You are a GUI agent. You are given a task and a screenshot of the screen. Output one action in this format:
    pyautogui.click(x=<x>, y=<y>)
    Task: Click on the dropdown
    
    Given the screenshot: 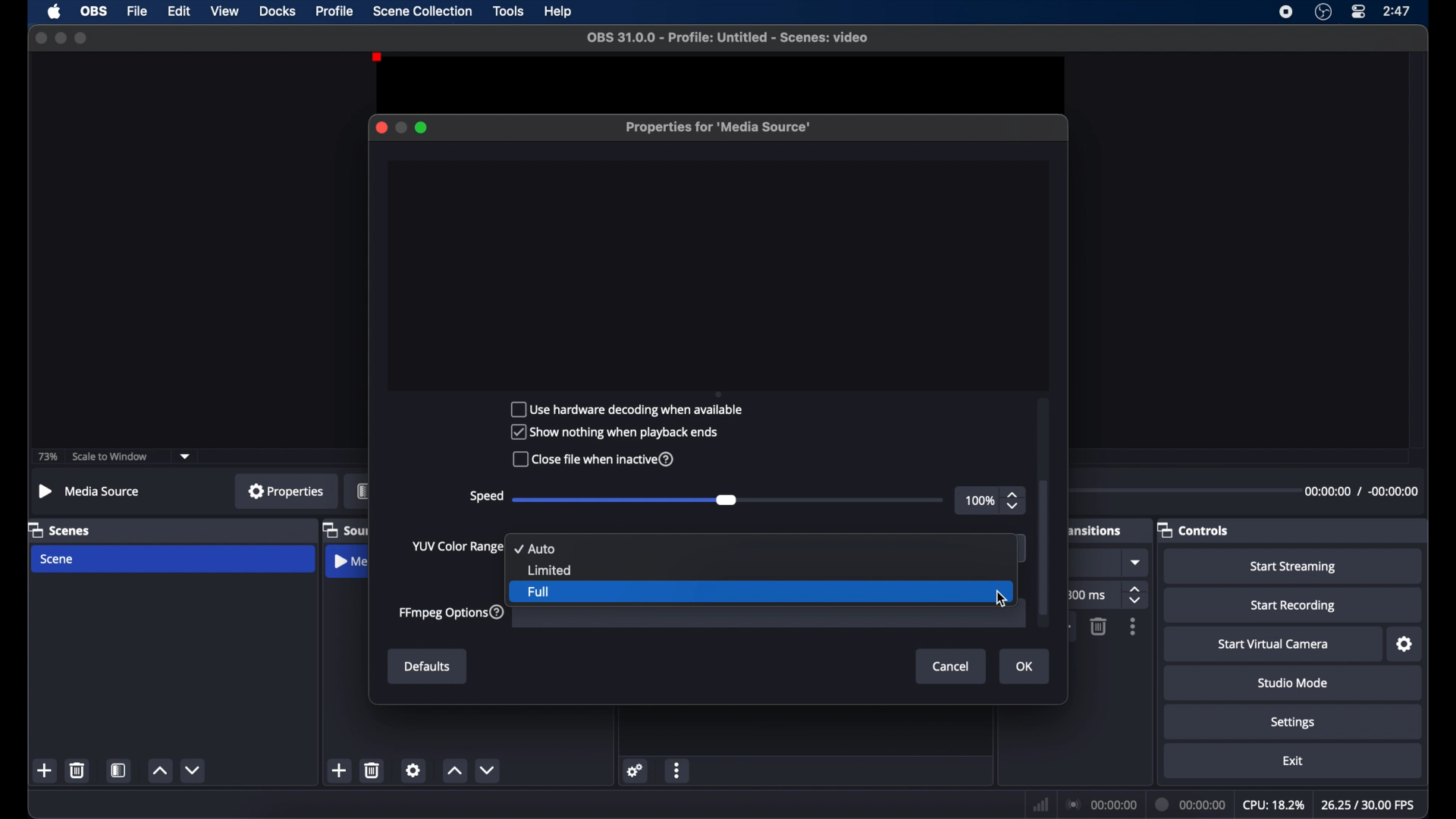 What is the action you would take?
    pyautogui.click(x=1137, y=562)
    